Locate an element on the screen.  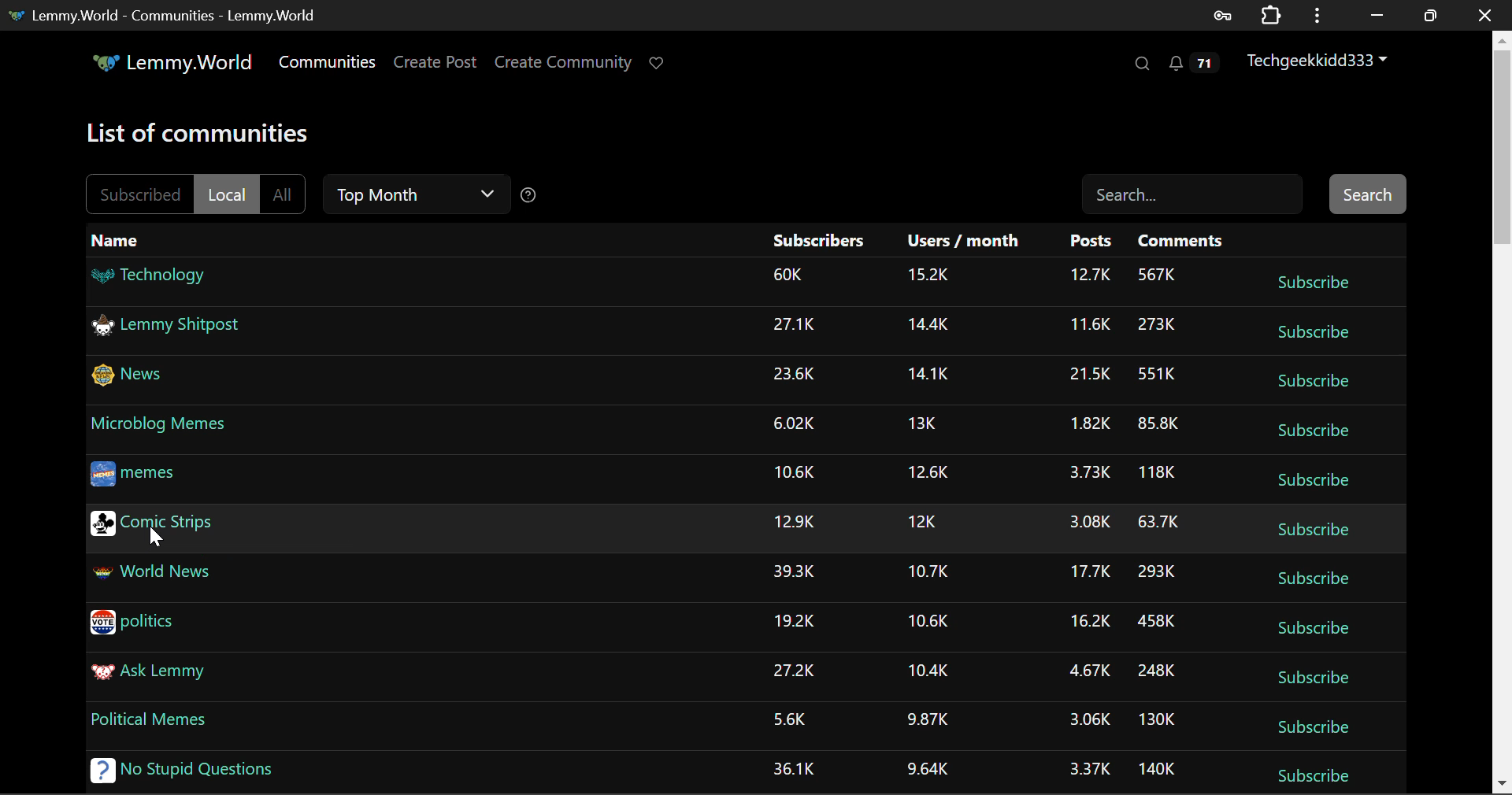
Name is located at coordinates (117, 239).